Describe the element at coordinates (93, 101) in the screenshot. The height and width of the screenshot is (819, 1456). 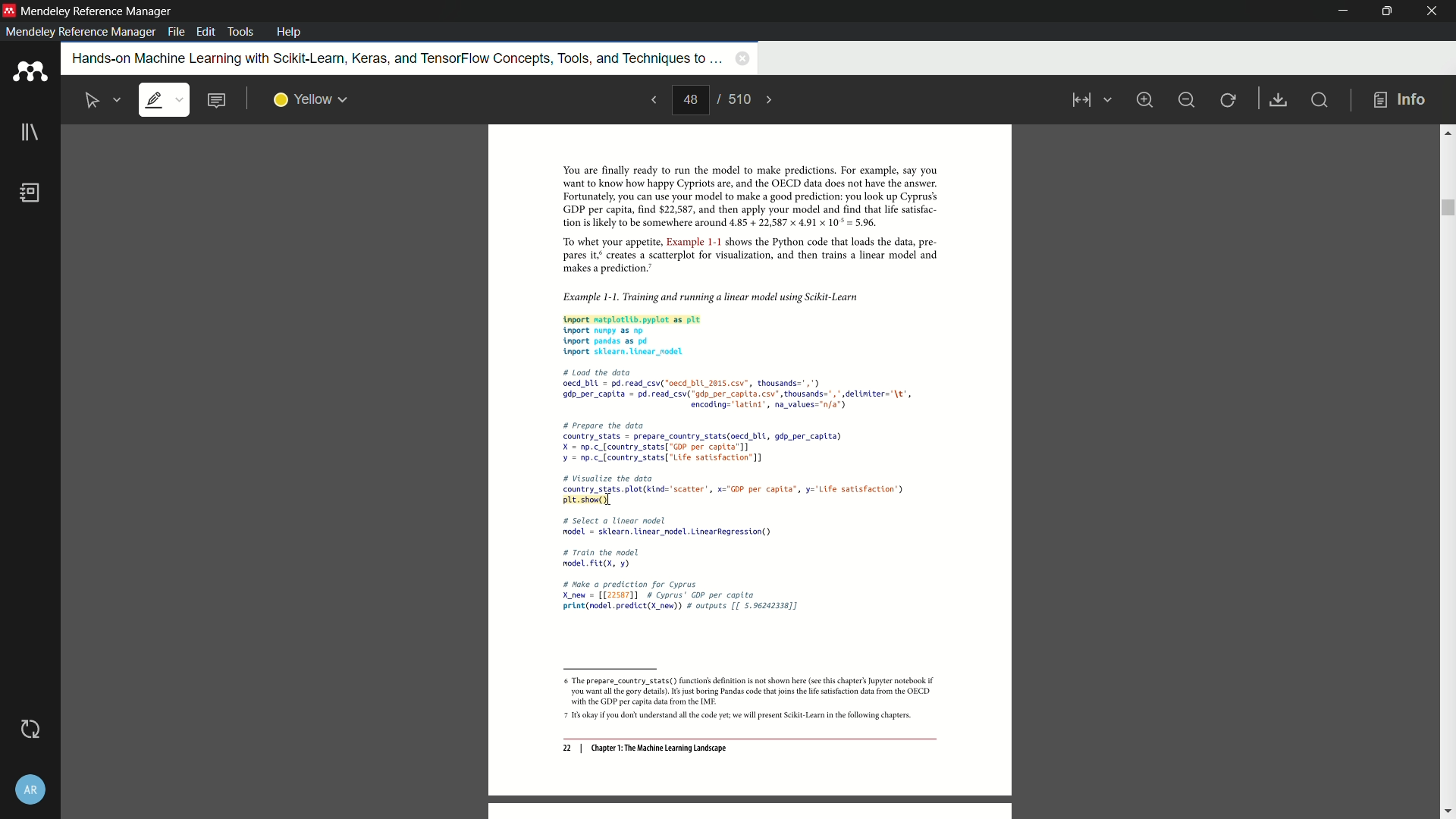
I see `select` at that location.